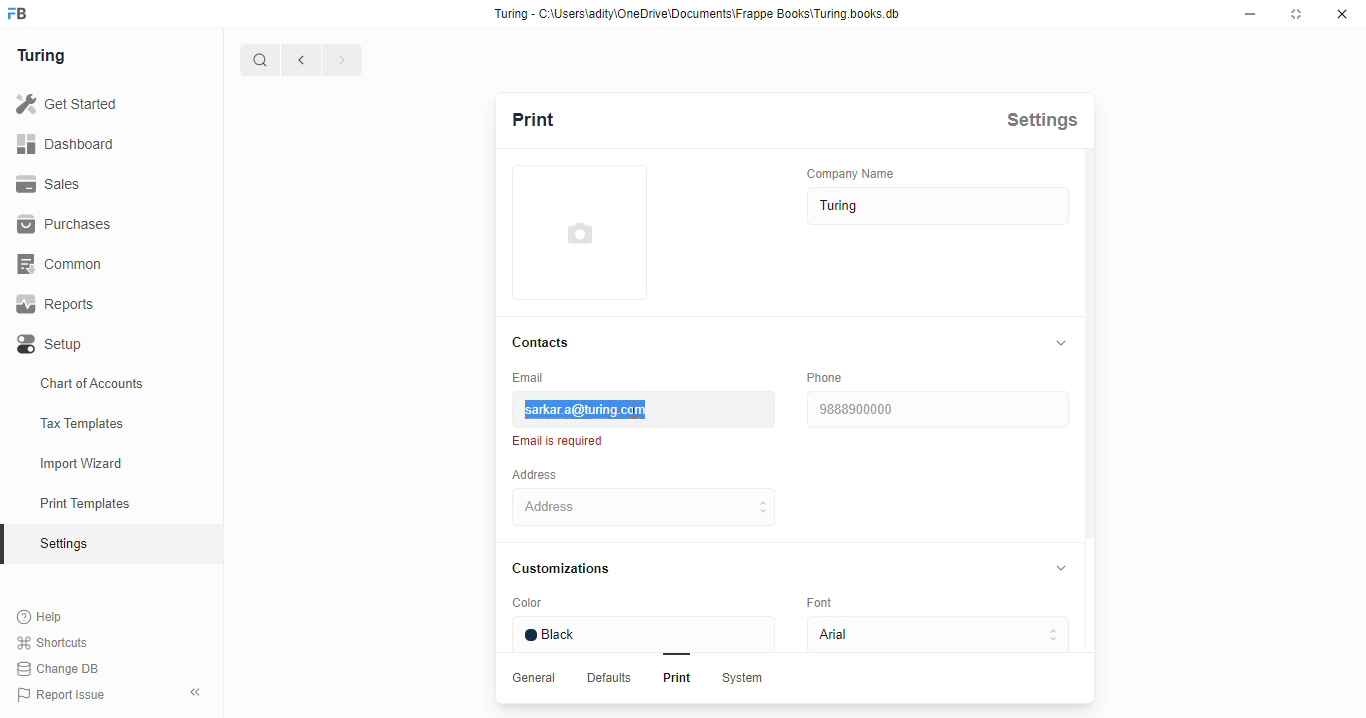 Image resolution: width=1366 pixels, height=718 pixels. Describe the element at coordinates (548, 474) in the screenshot. I see `‘Address` at that location.